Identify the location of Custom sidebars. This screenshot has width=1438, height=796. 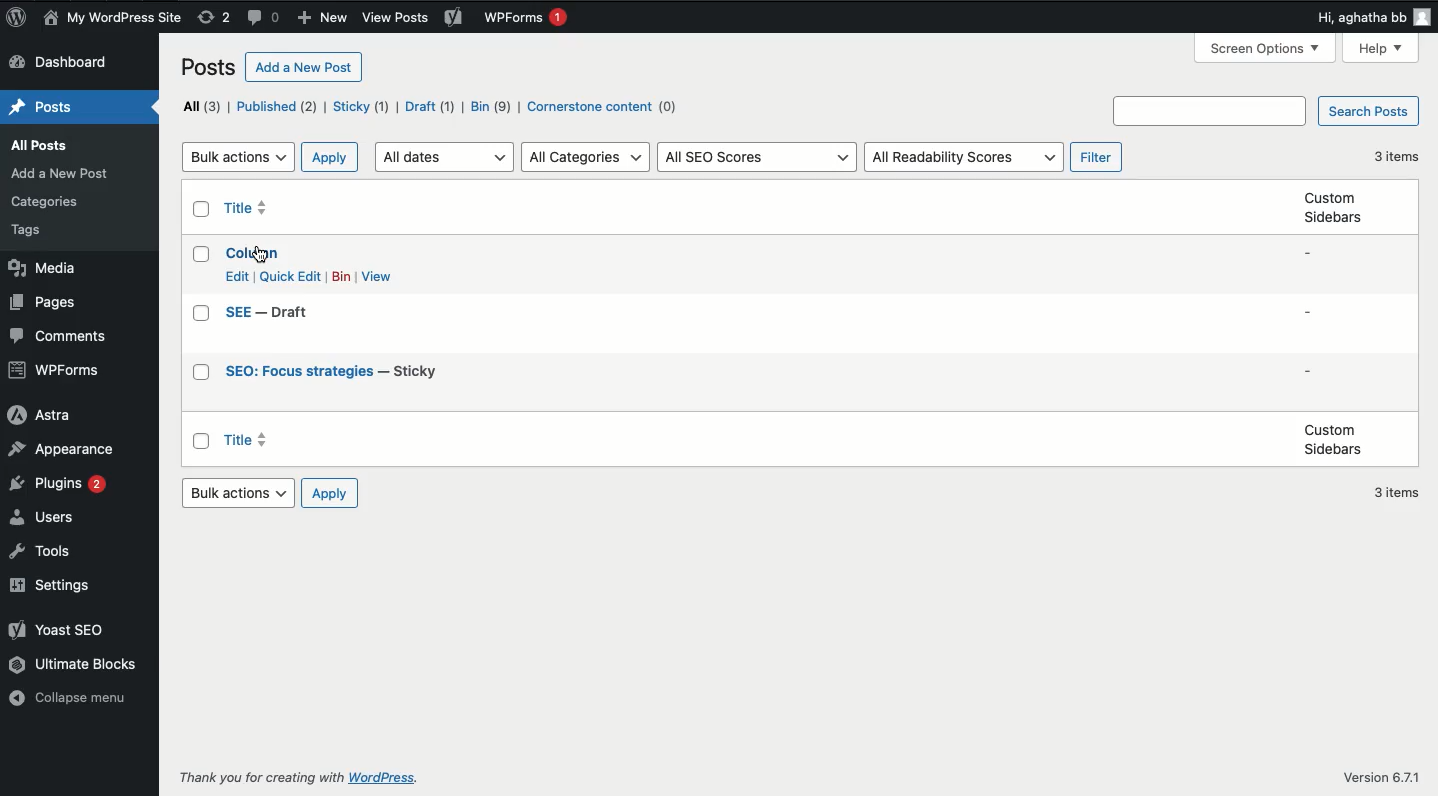
(1334, 208).